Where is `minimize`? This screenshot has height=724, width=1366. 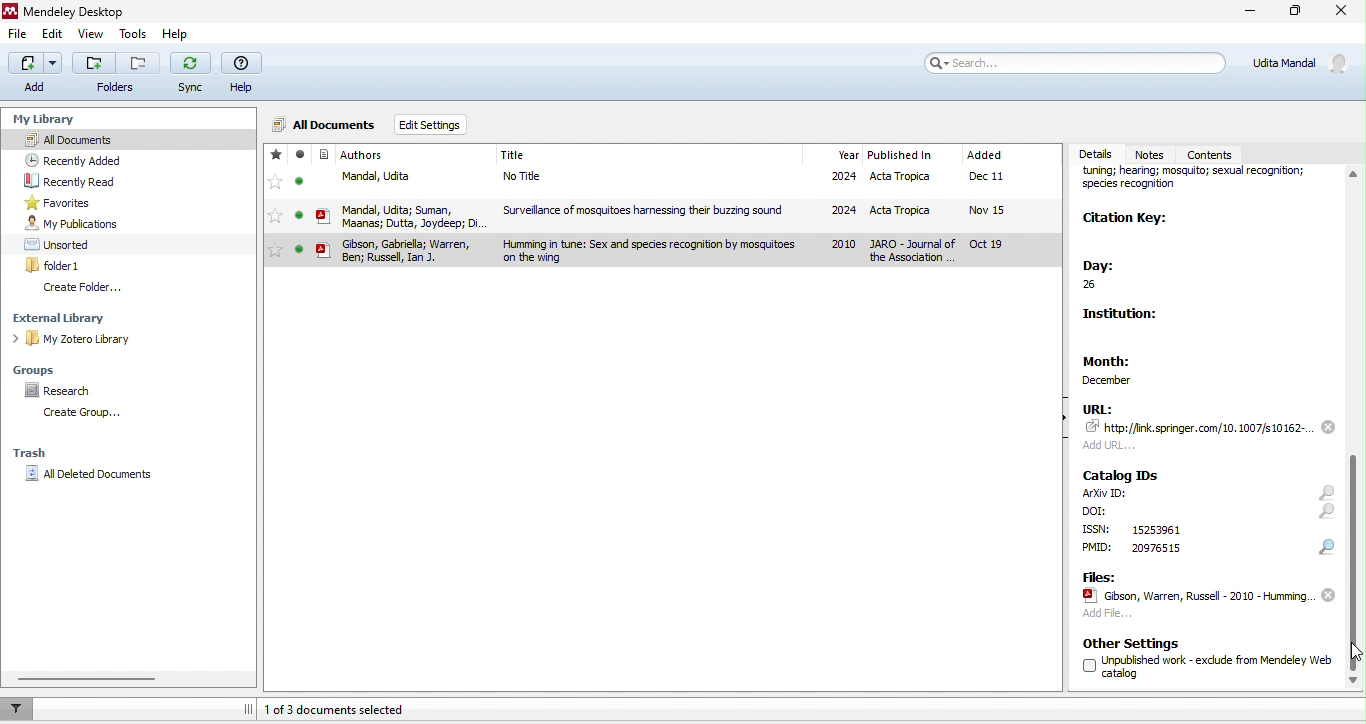
minimize is located at coordinates (1247, 13).